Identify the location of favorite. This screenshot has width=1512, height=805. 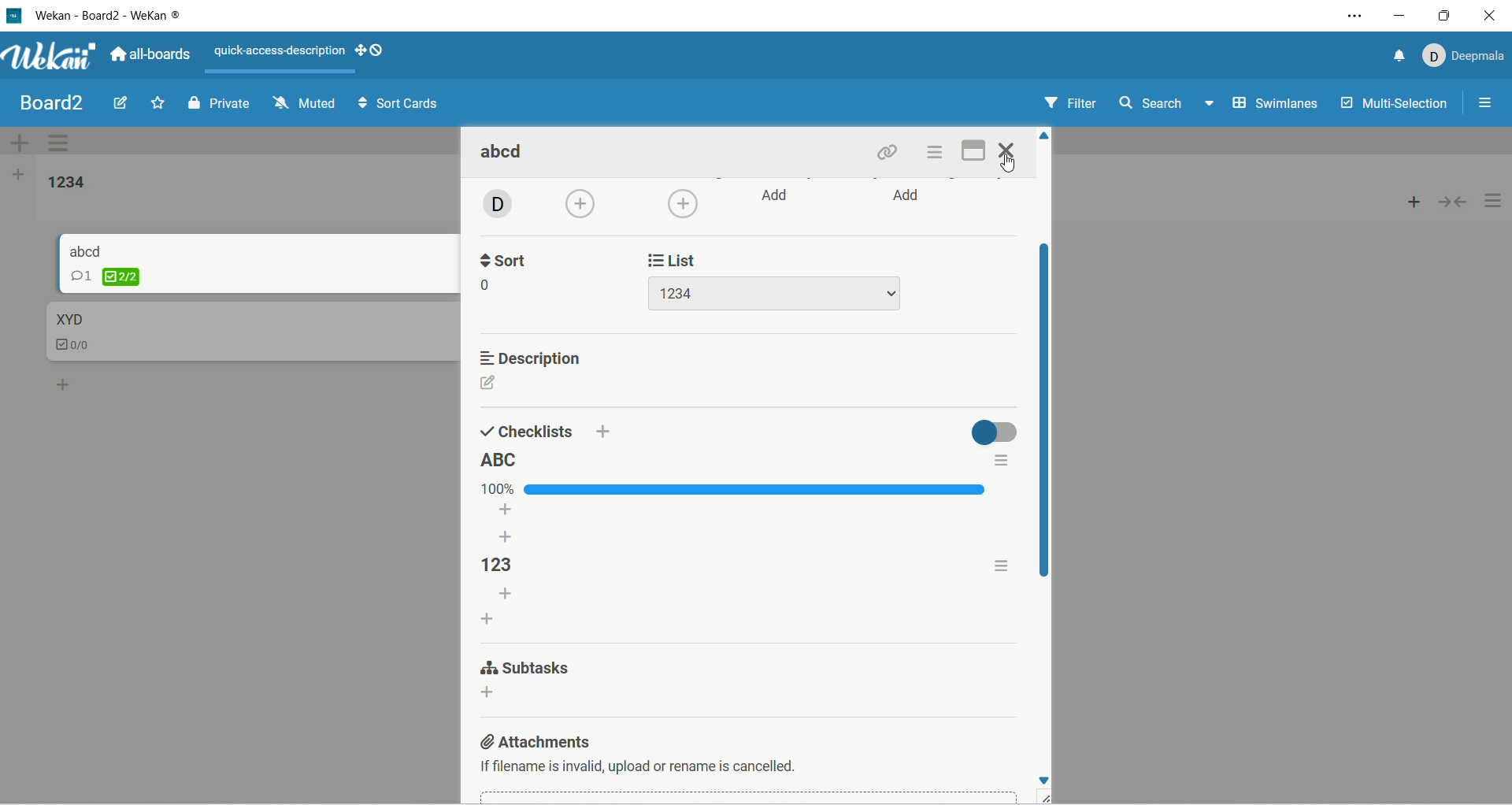
(157, 104).